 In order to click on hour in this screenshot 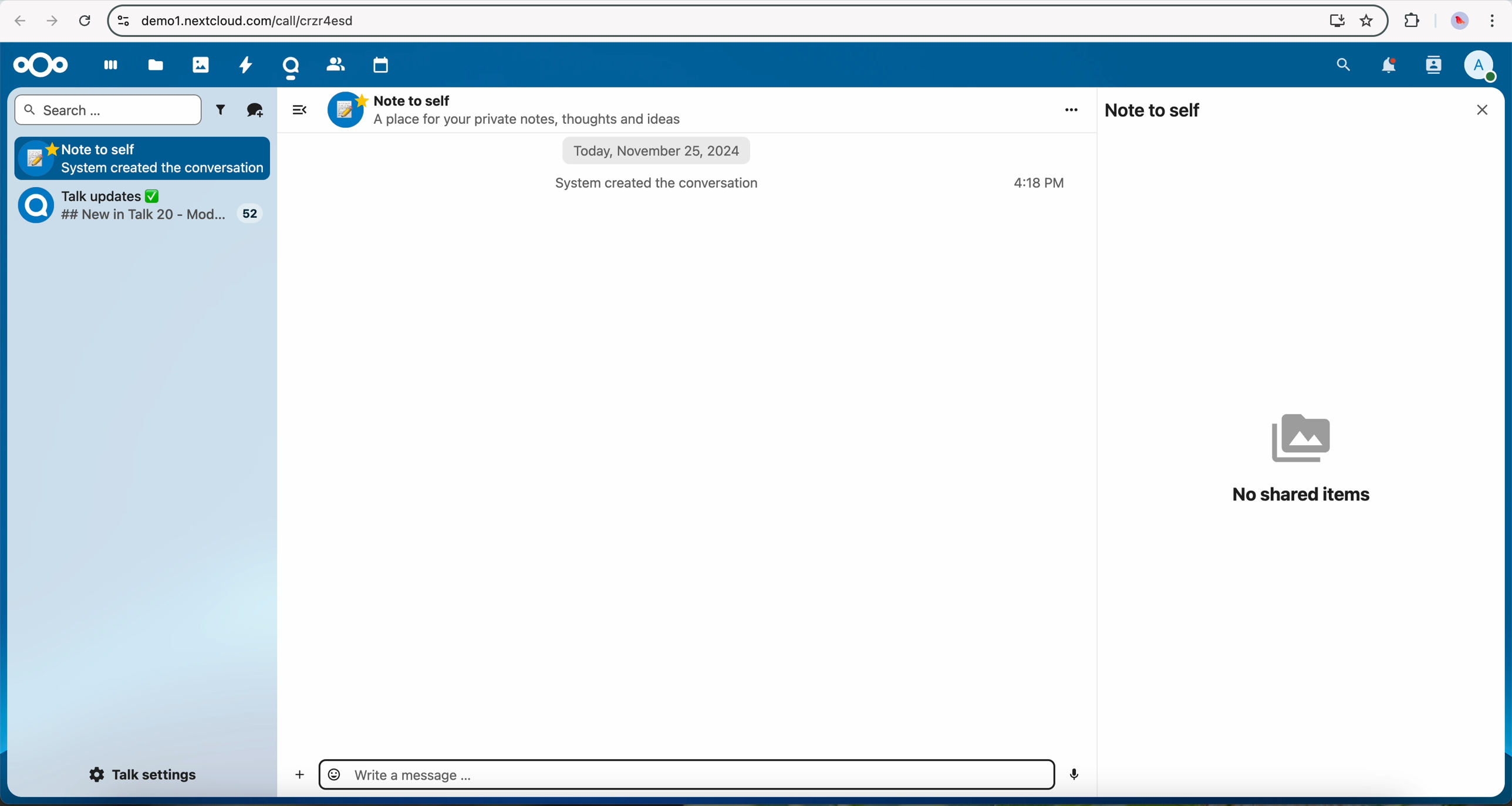, I will do `click(1041, 184)`.